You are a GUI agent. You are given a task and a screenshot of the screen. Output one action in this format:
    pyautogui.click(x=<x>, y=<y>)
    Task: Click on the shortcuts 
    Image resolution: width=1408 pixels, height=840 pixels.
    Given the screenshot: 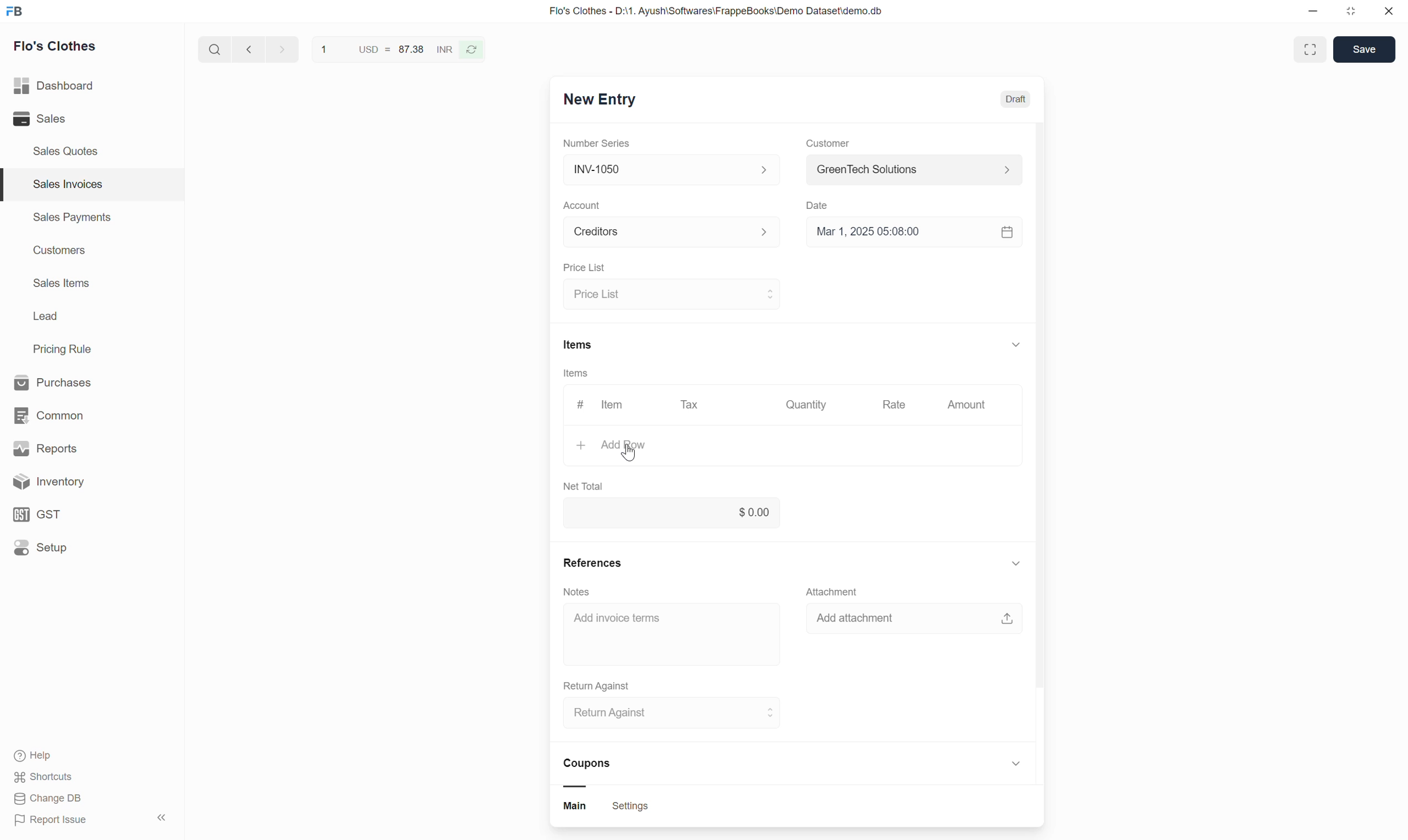 What is the action you would take?
    pyautogui.click(x=54, y=777)
    